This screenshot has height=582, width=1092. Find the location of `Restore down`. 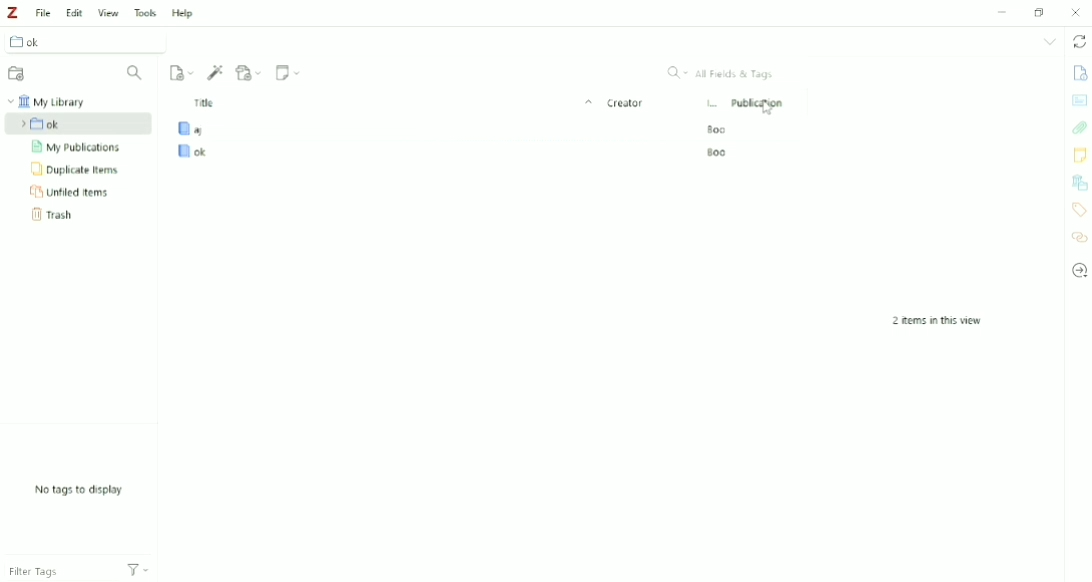

Restore down is located at coordinates (1042, 13).